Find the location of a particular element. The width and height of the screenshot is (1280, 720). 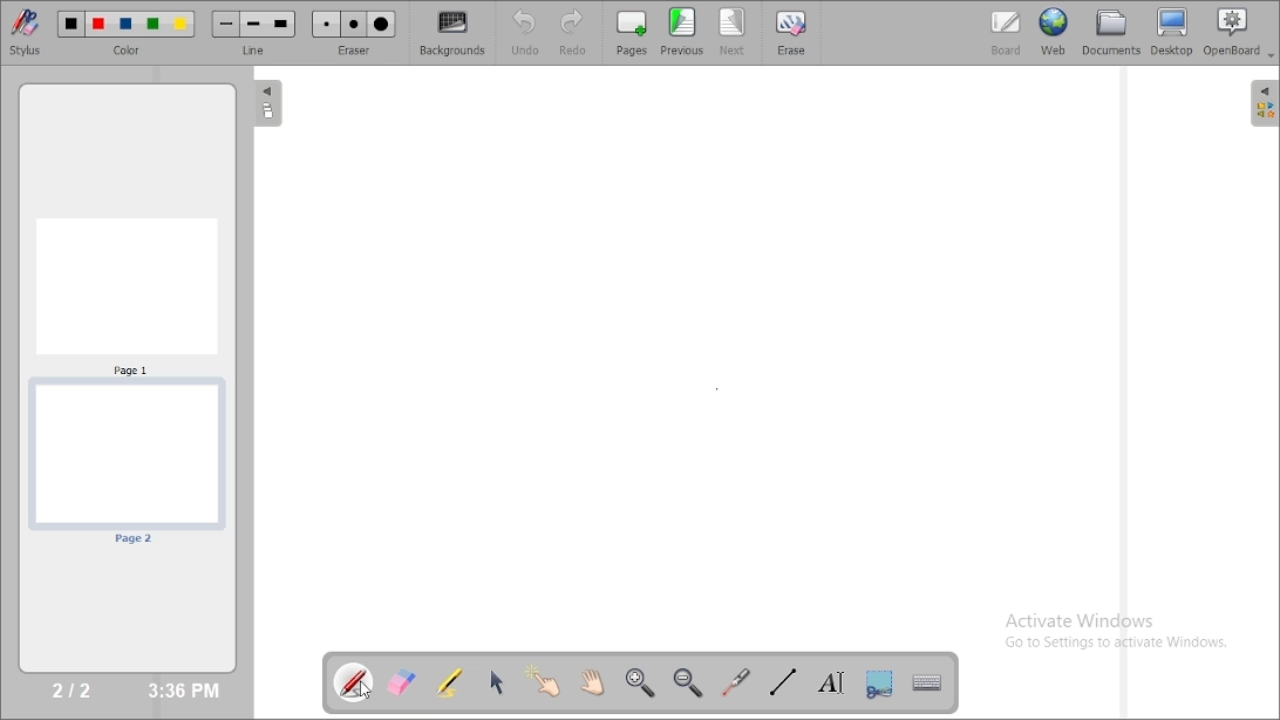

Large line is located at coordinates (282, 25).